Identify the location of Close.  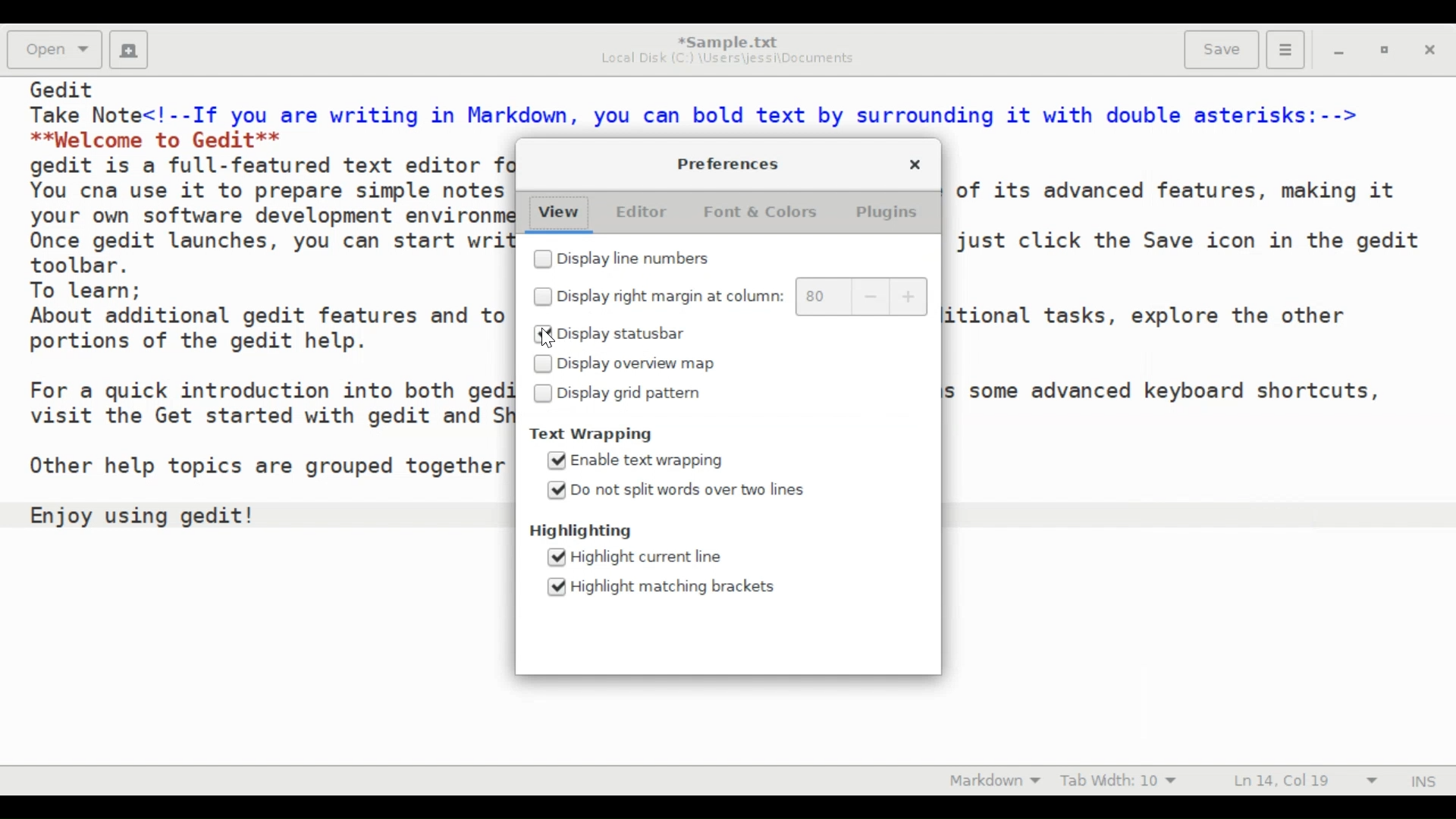
(915, 165).